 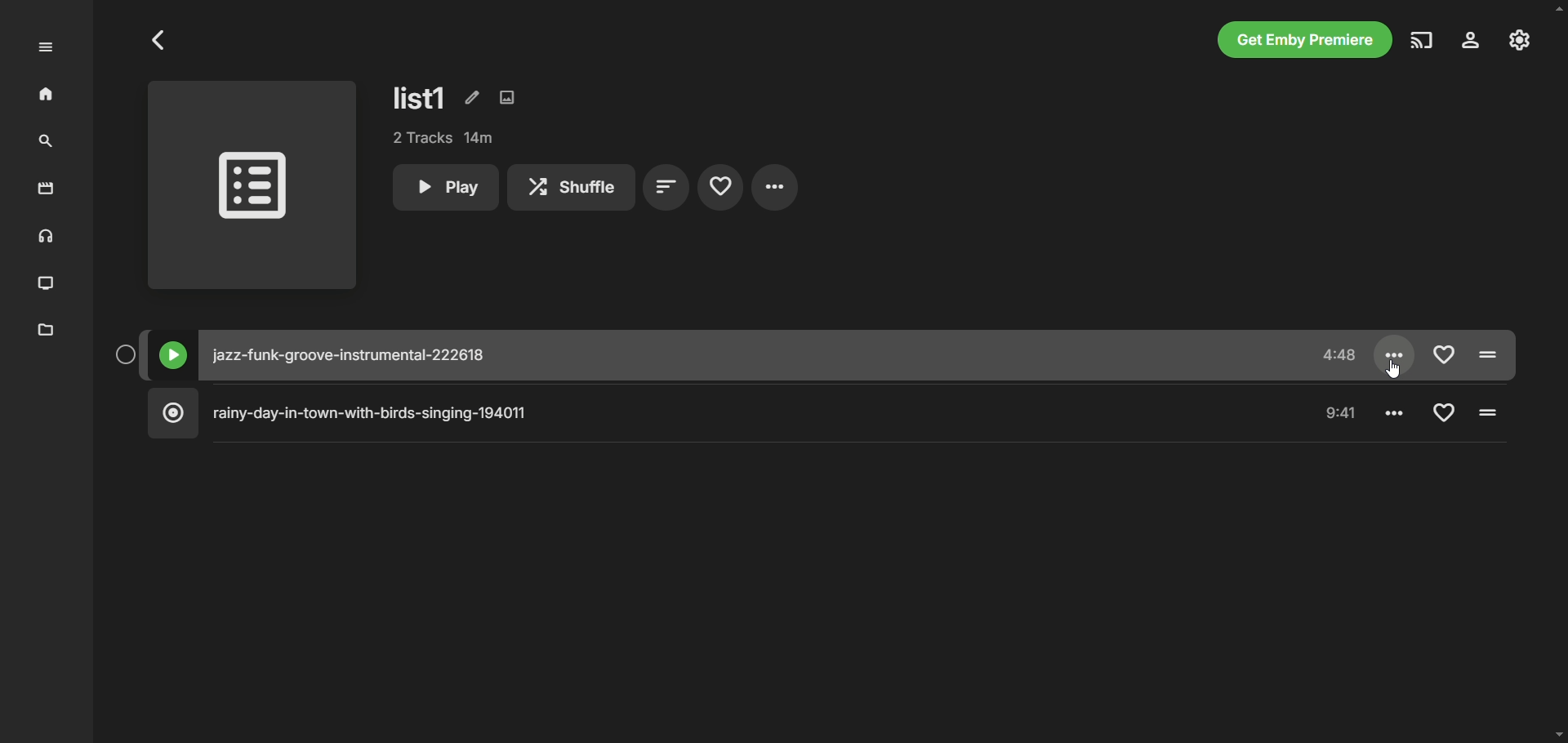 I want to click on Pause/Play, so click(x=1488, y=354).